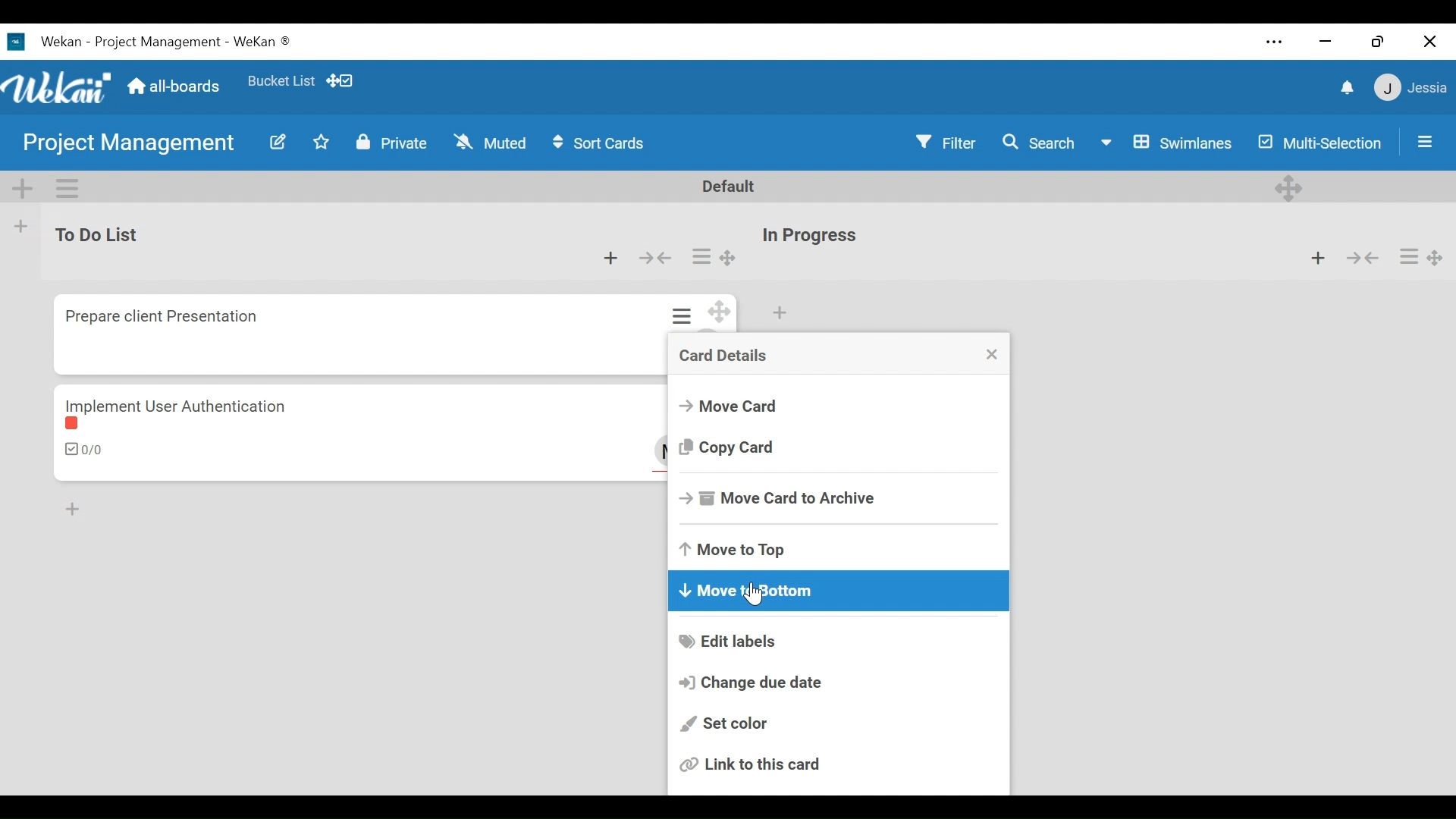 This screenshot has height=819, width=1456. Describe the element at coordinates (945, 142) in the screenshot. I see `Filter` at that location.